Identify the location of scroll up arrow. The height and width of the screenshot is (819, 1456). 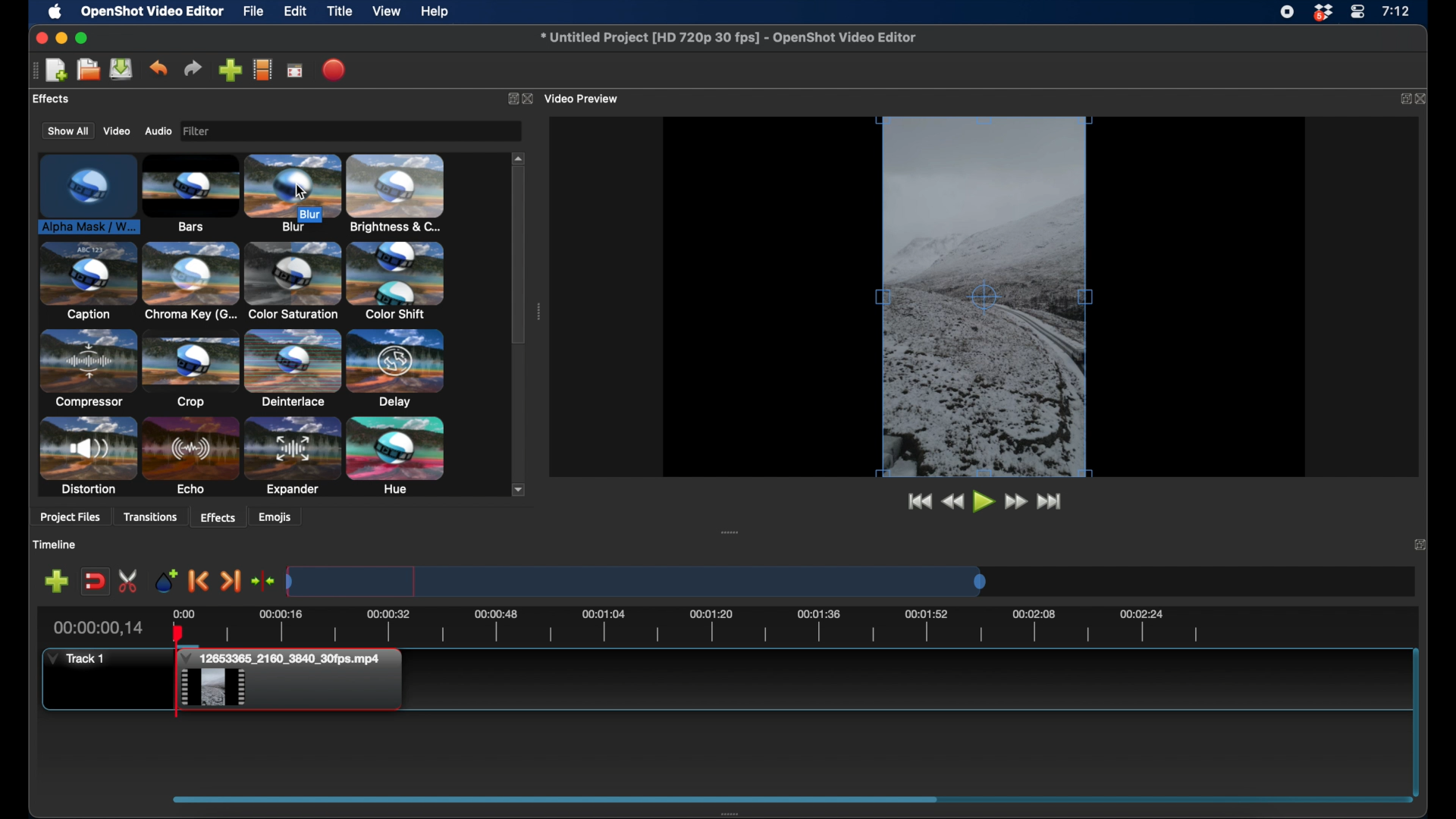
(519, 157).